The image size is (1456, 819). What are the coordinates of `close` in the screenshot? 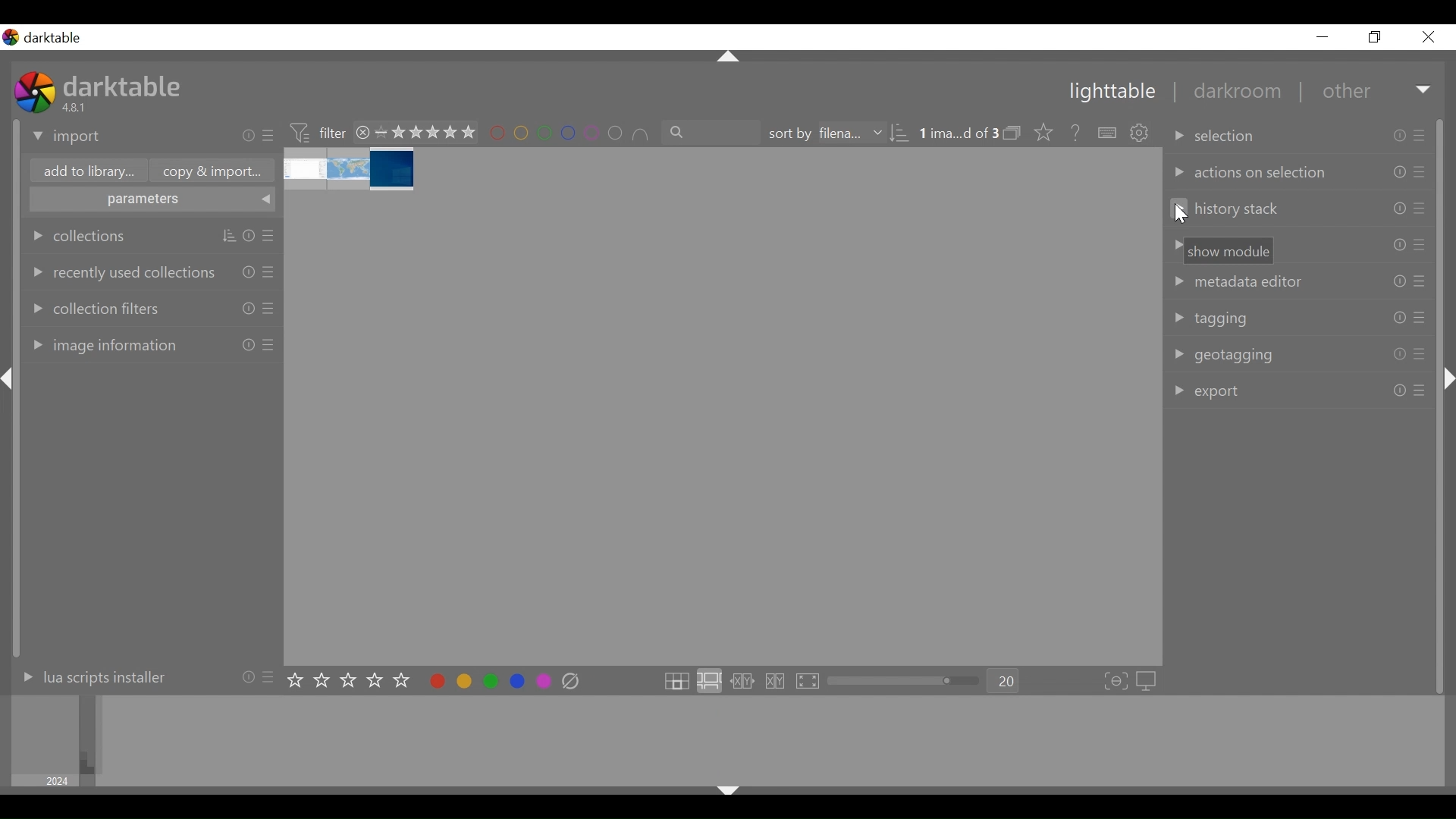 It's located at (363, 132).